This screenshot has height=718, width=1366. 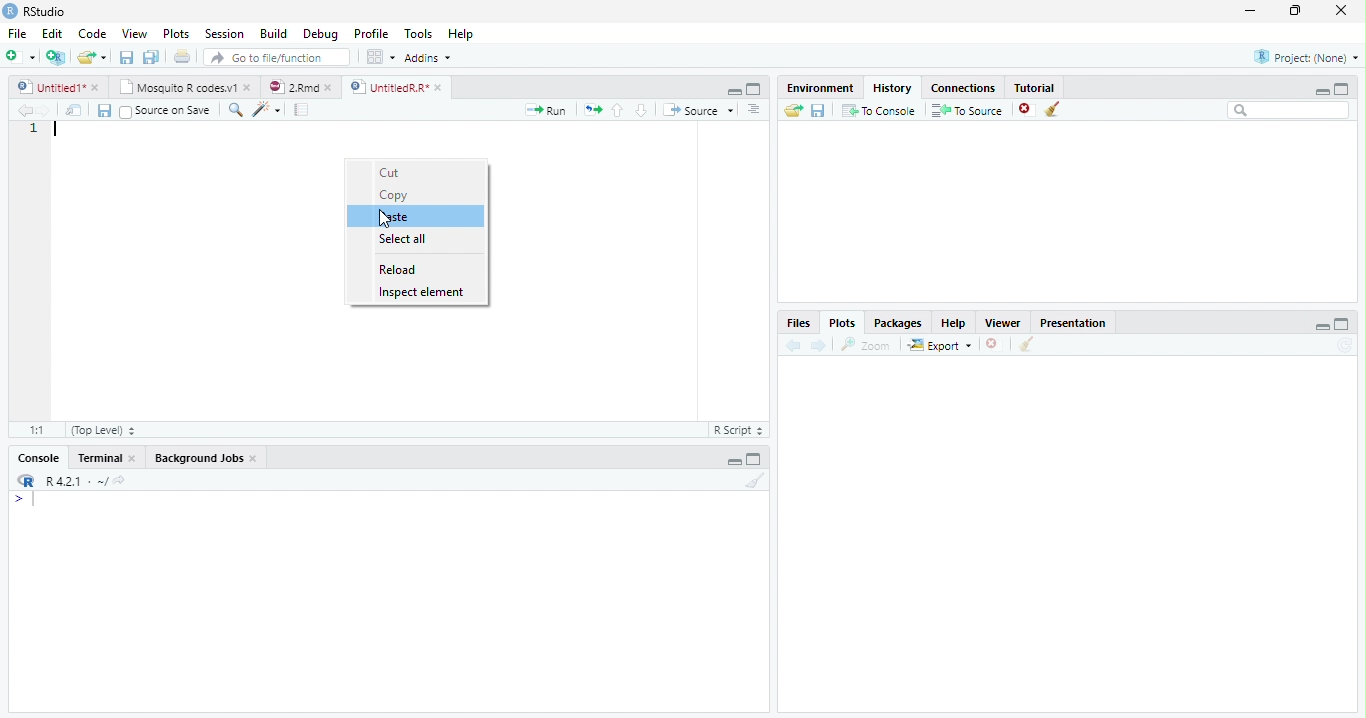 I want to click on Presentation, so click(x=1073, y=323).